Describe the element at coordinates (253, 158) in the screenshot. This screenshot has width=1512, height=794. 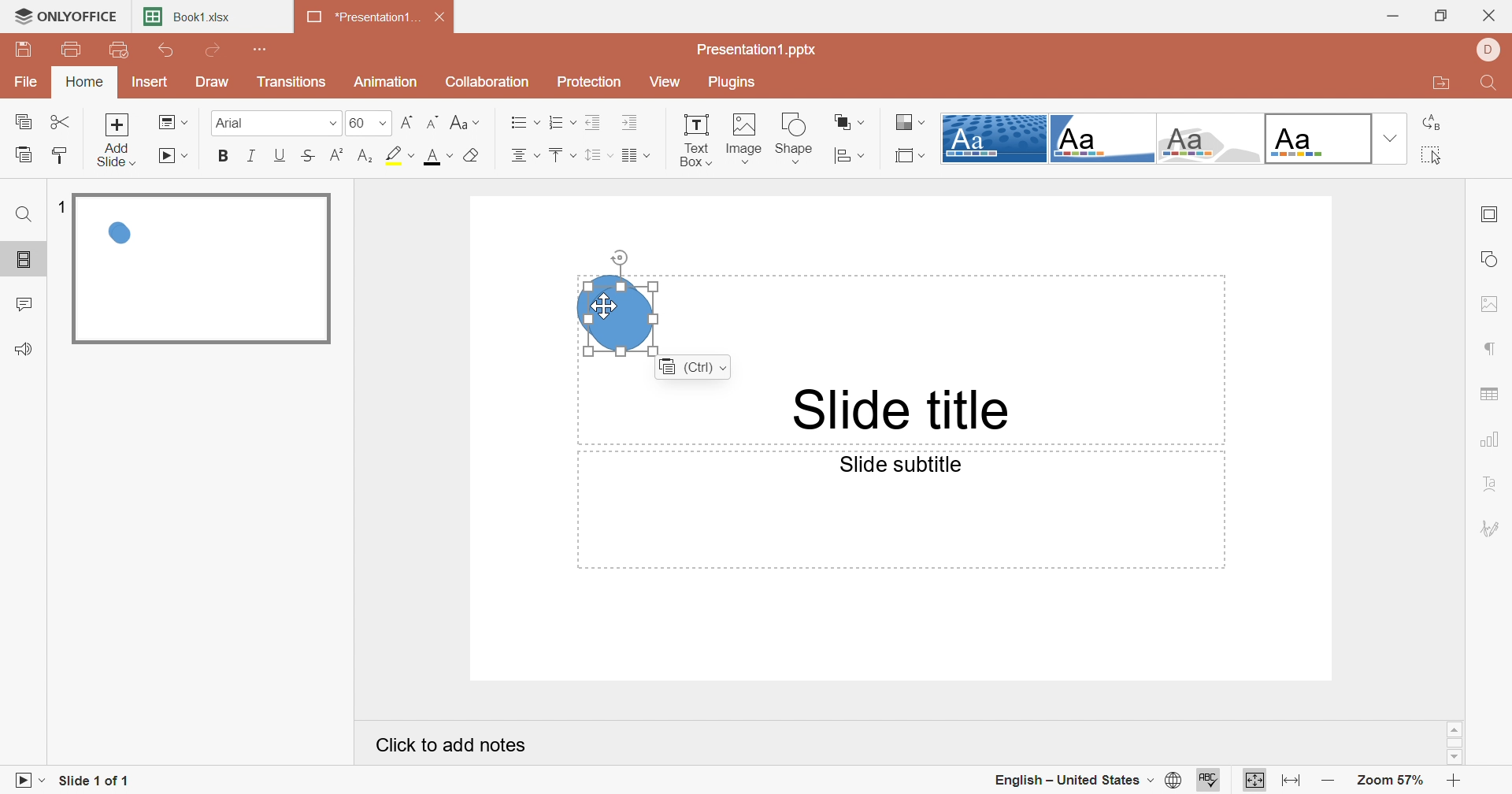
I see `Italic` at that location.